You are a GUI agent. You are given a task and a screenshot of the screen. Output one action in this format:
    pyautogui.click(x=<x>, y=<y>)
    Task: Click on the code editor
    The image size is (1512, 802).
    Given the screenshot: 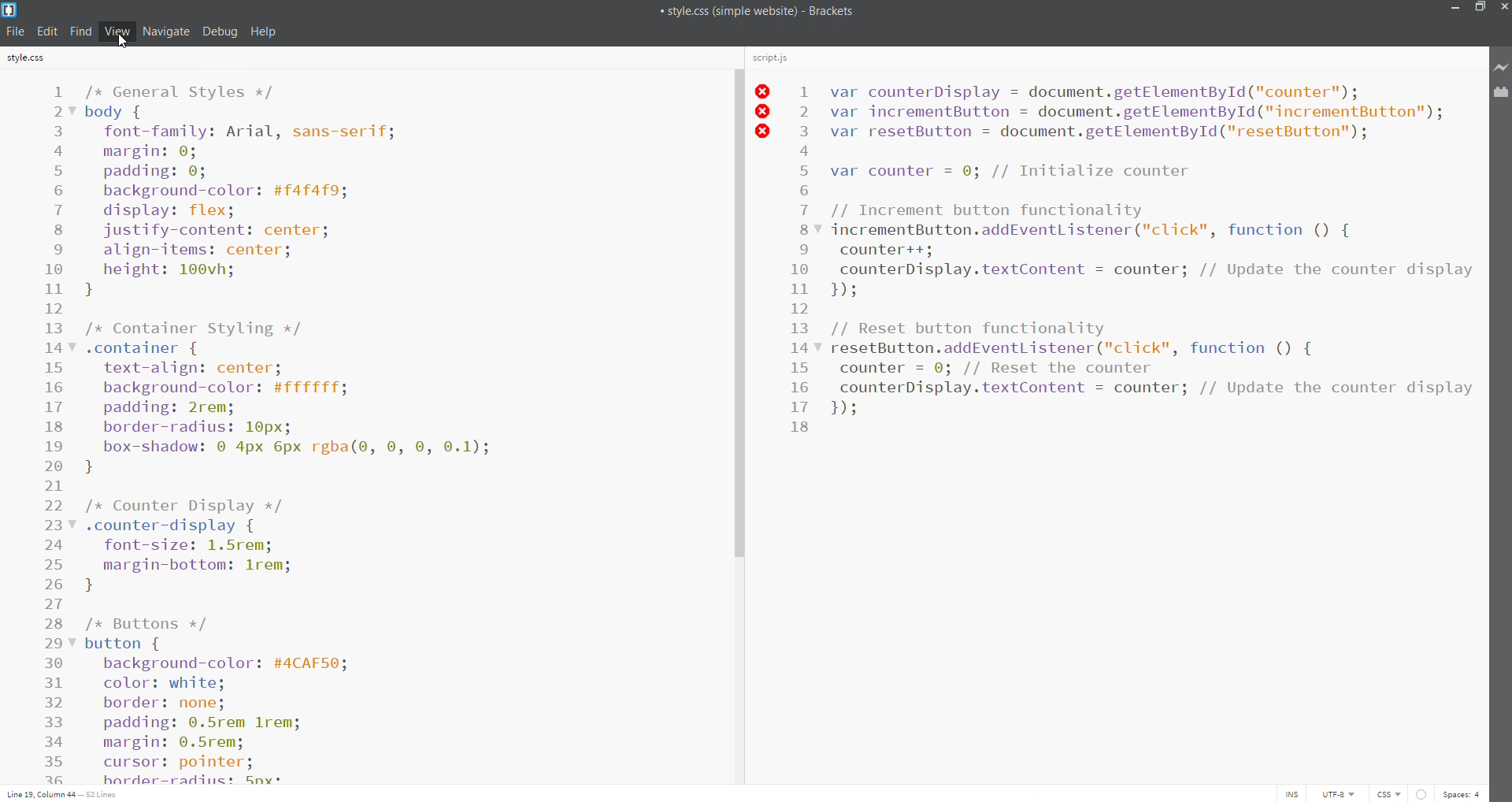 What is the action you would take?
    pyautogui.click(x=391, y=430)
    